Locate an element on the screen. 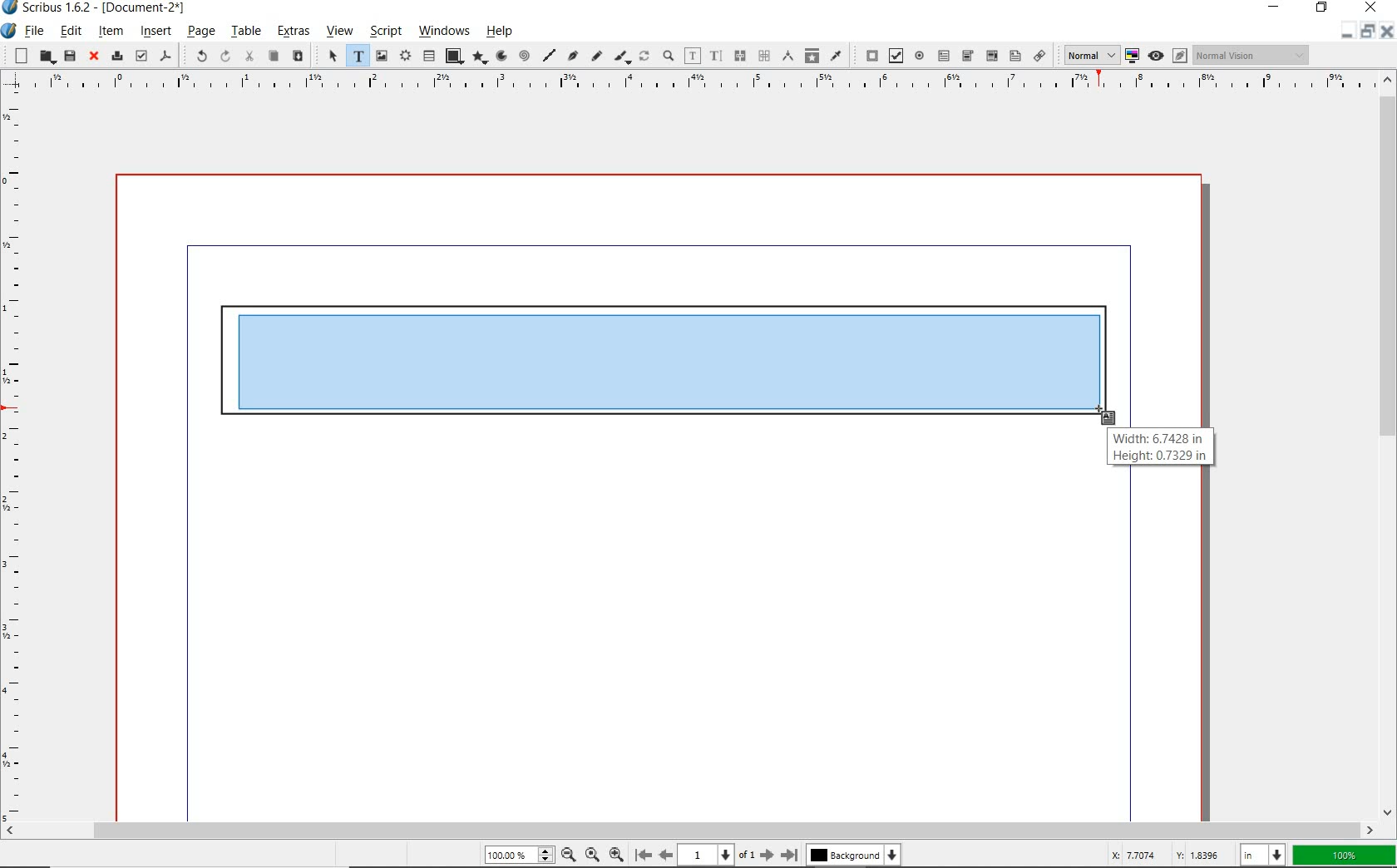 This screenshot has height=868, width=1397. system name is located at coordinates (96, 7).